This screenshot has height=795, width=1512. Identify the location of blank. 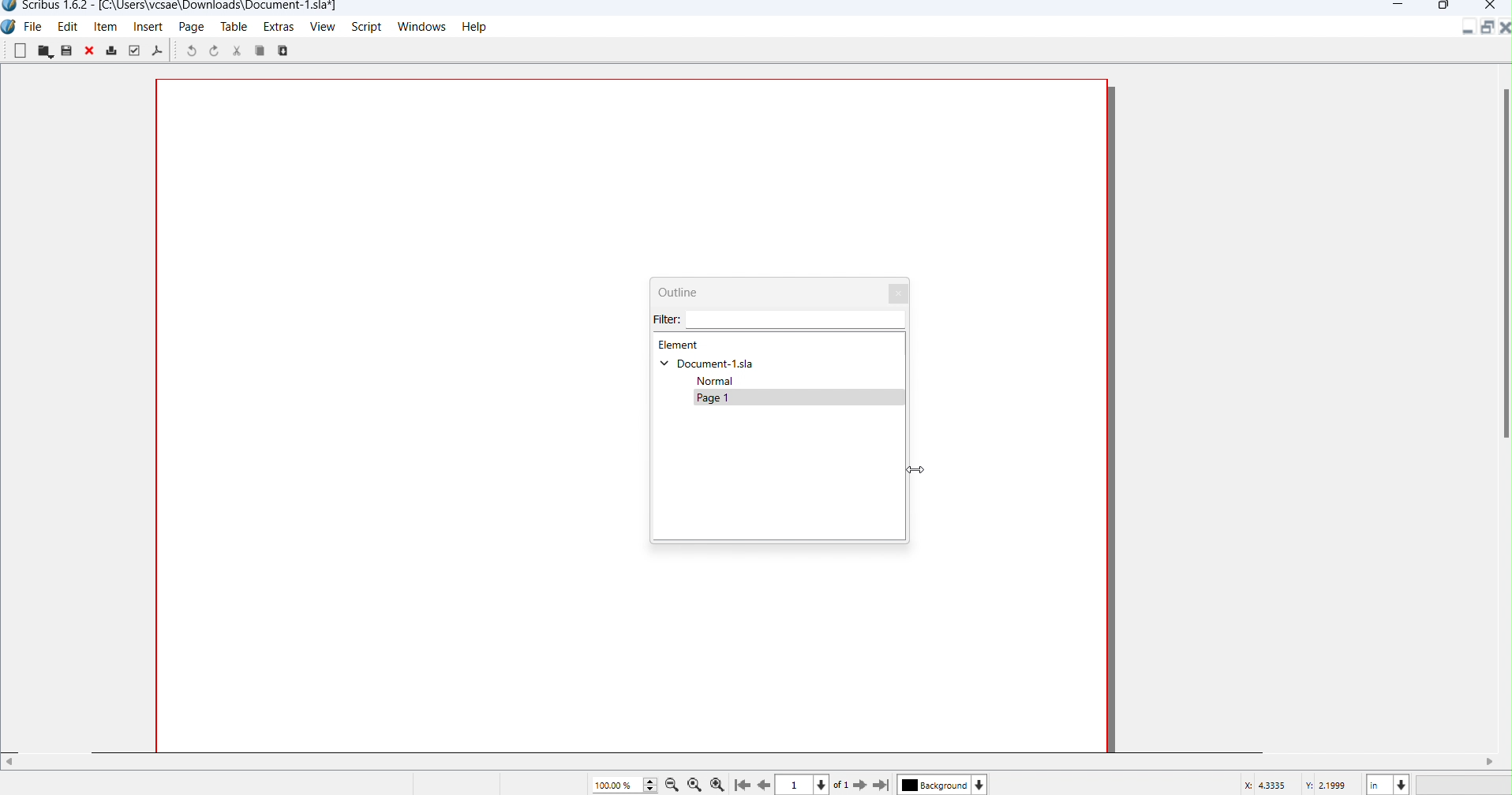
(20, 52).